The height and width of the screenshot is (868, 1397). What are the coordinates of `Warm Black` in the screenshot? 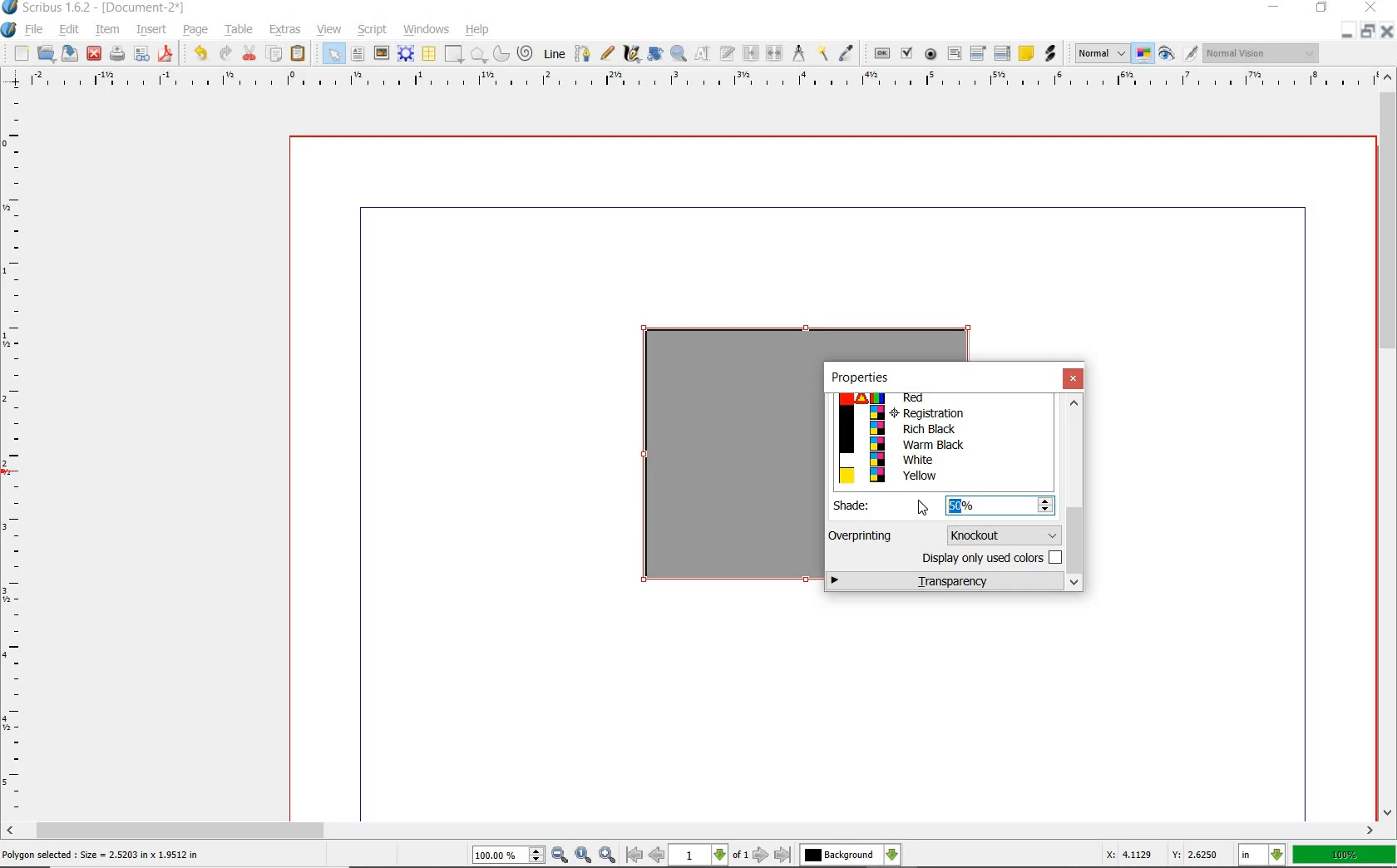 It's located at (942, 445).